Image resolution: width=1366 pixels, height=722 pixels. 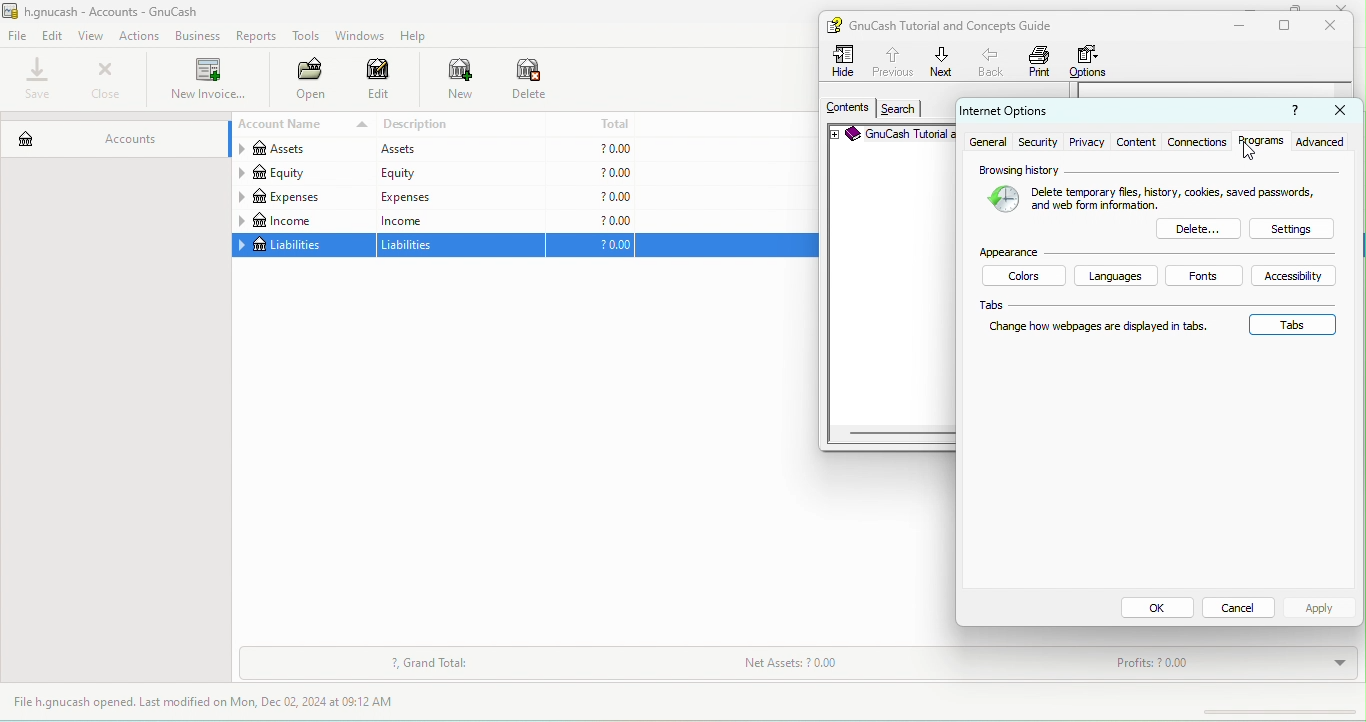 What do you see at coordinates (891, 136) in the screenshot?
I see `gnu cash tutorial c` at bounding box center [891, 136].